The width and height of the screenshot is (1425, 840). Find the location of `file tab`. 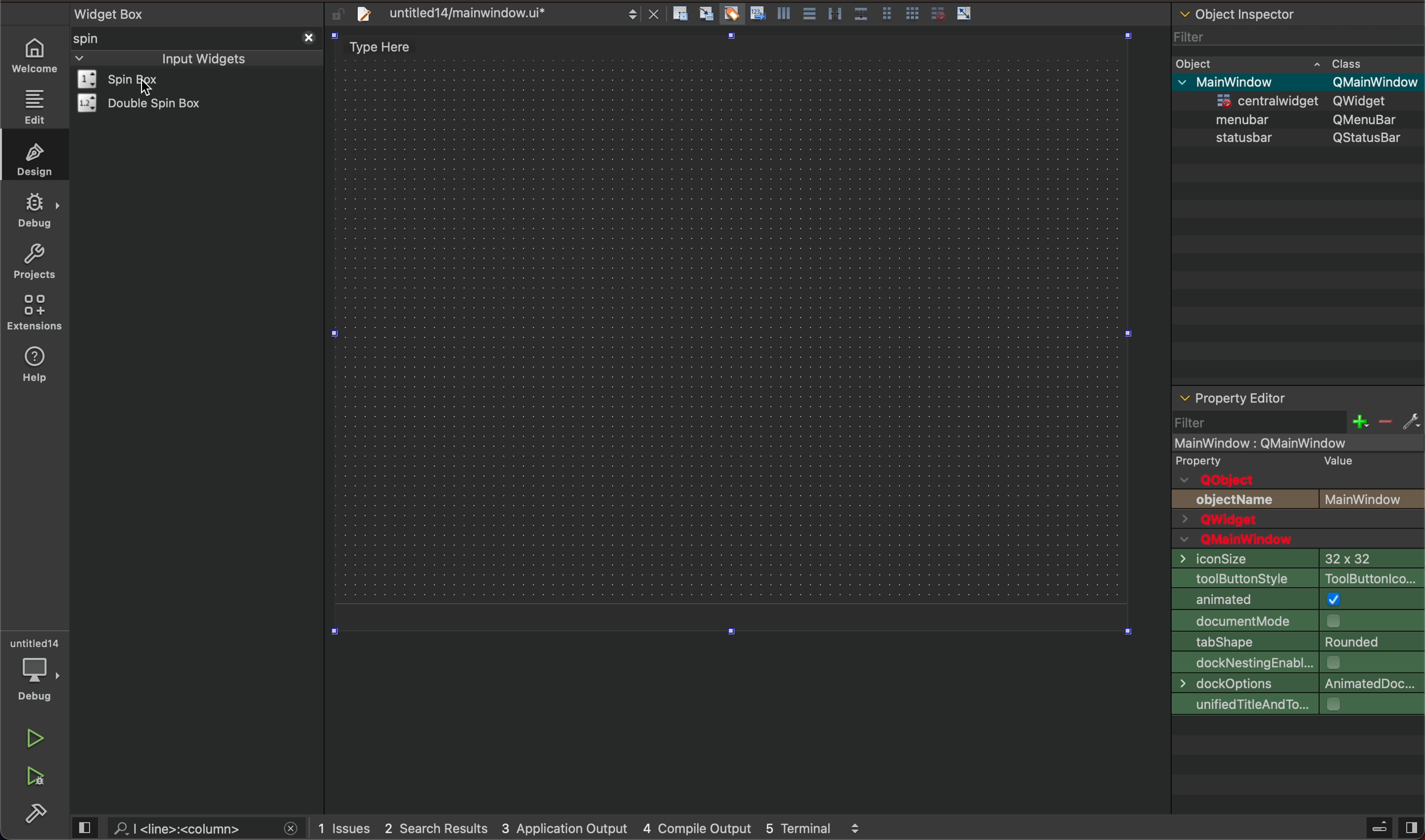

file tab is located at coordinates (495, 13).